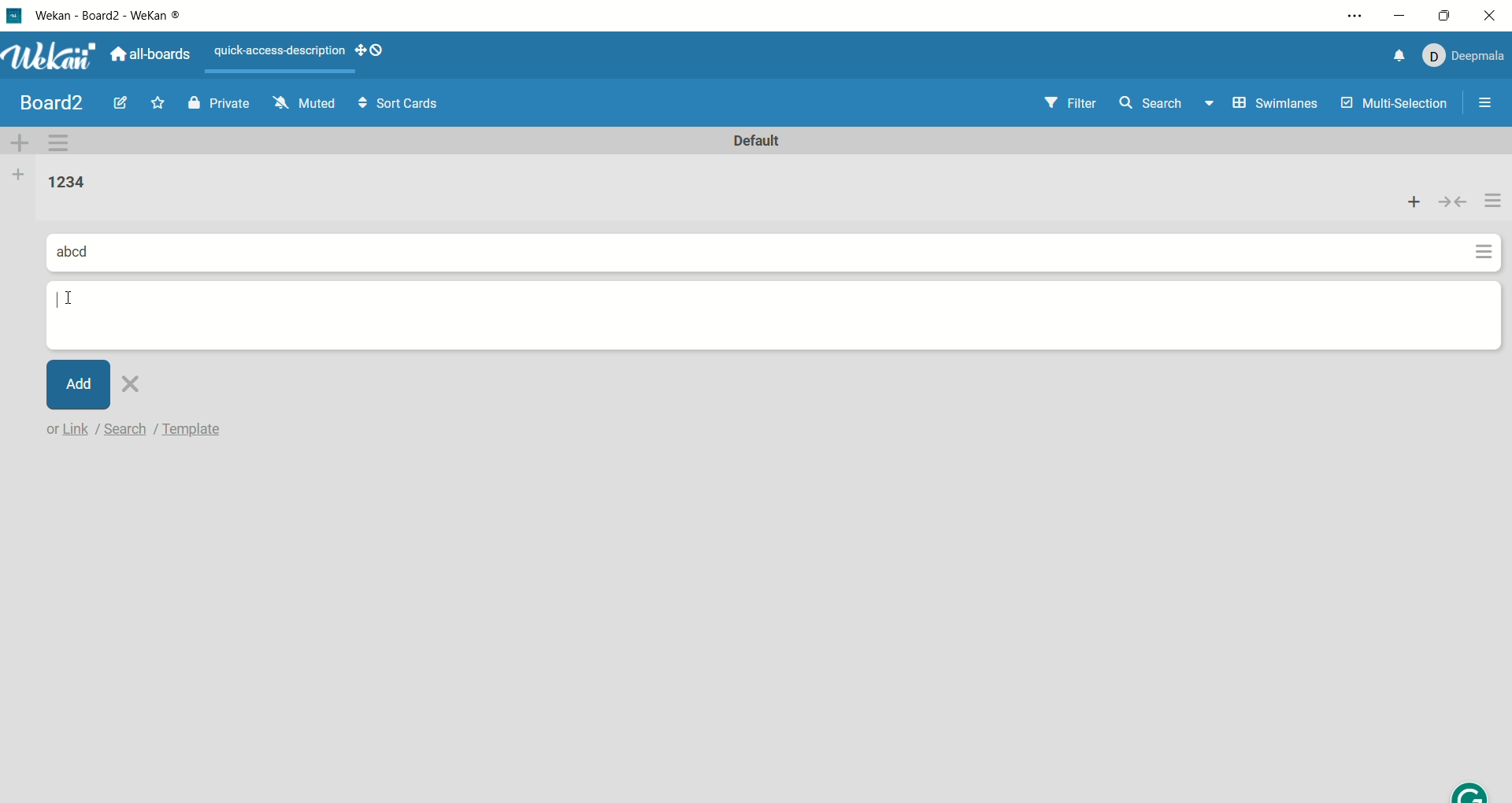 The height and width of the screenshot is (803, 1512). Describe the element at coordinates (755, 139) in the screenshot. I see `default` at that location.